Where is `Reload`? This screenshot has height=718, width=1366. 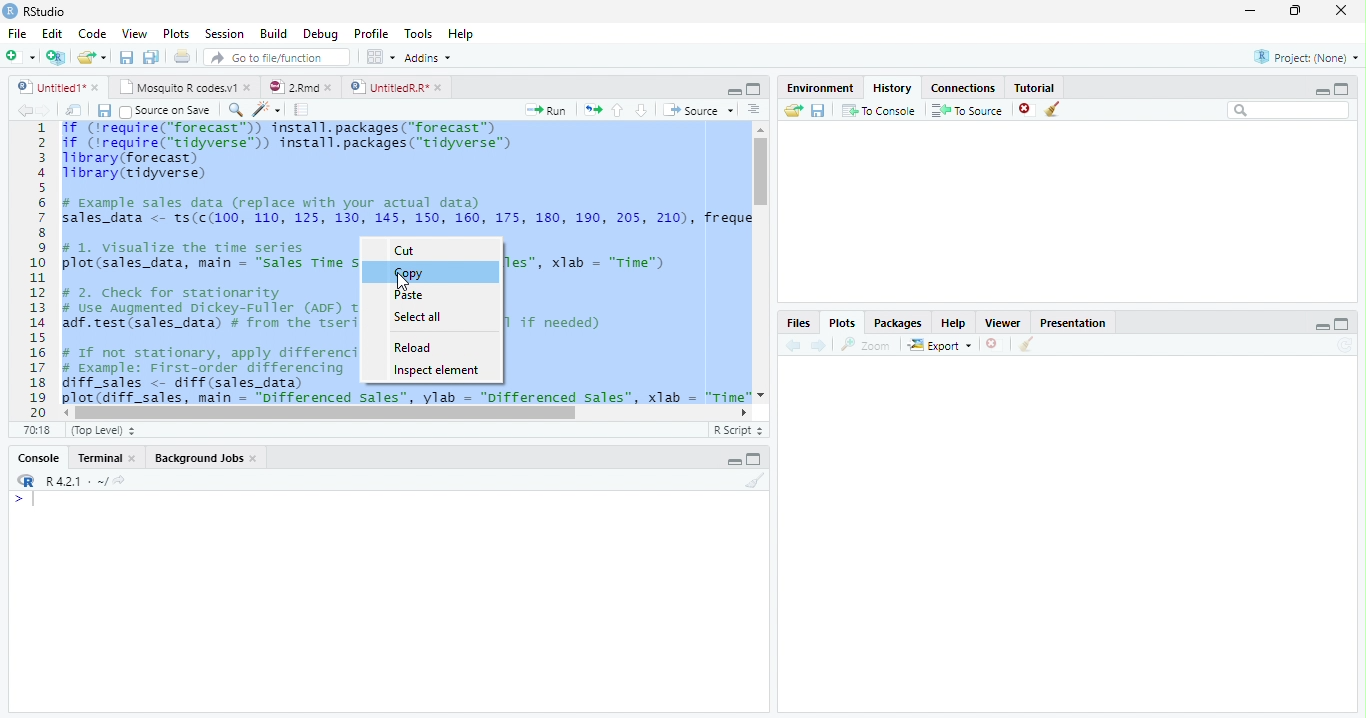 Reload is located at coordinates (414, 347).